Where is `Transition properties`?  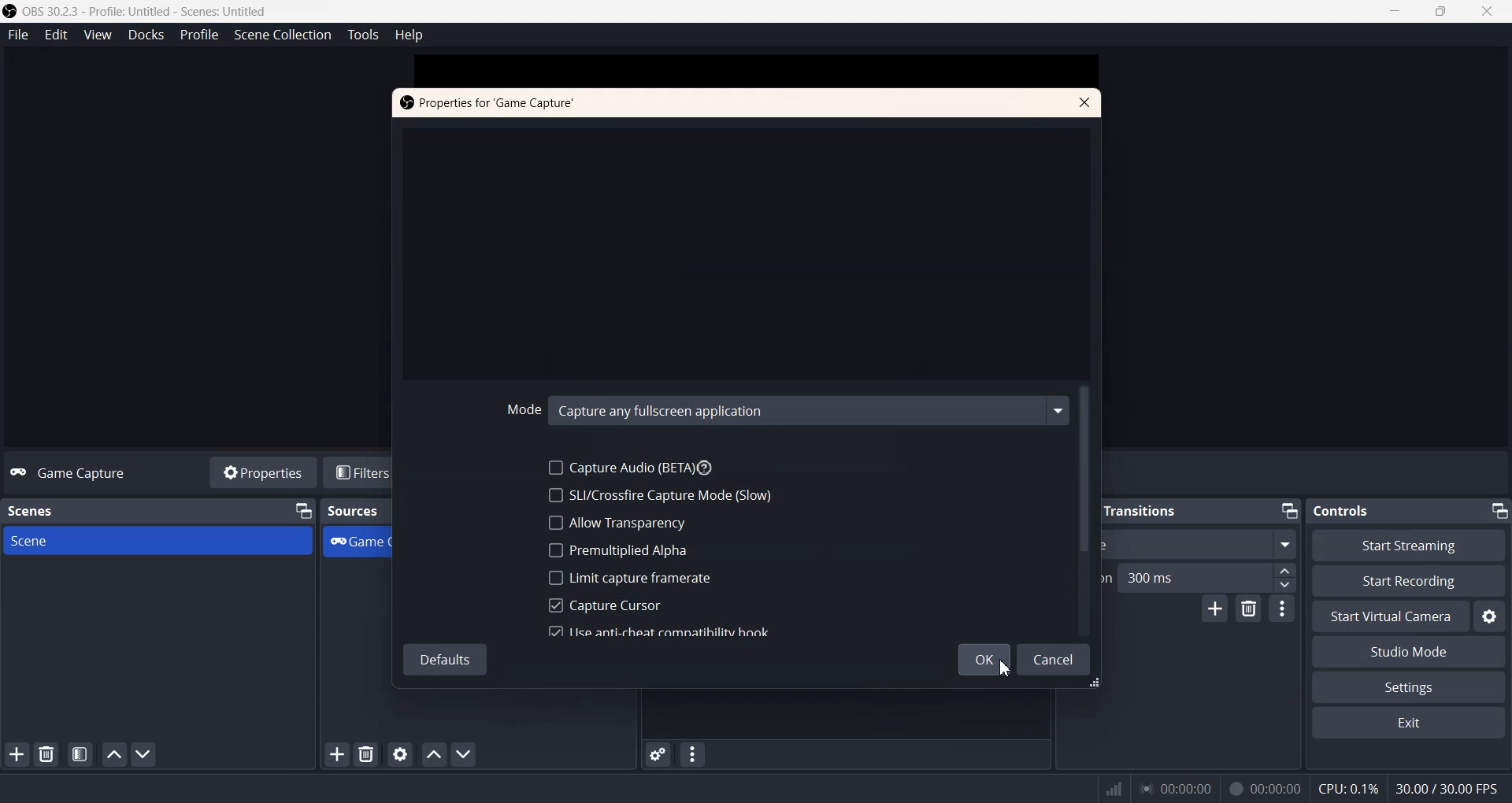
Transition properties is located at coordinates (1281, 608).